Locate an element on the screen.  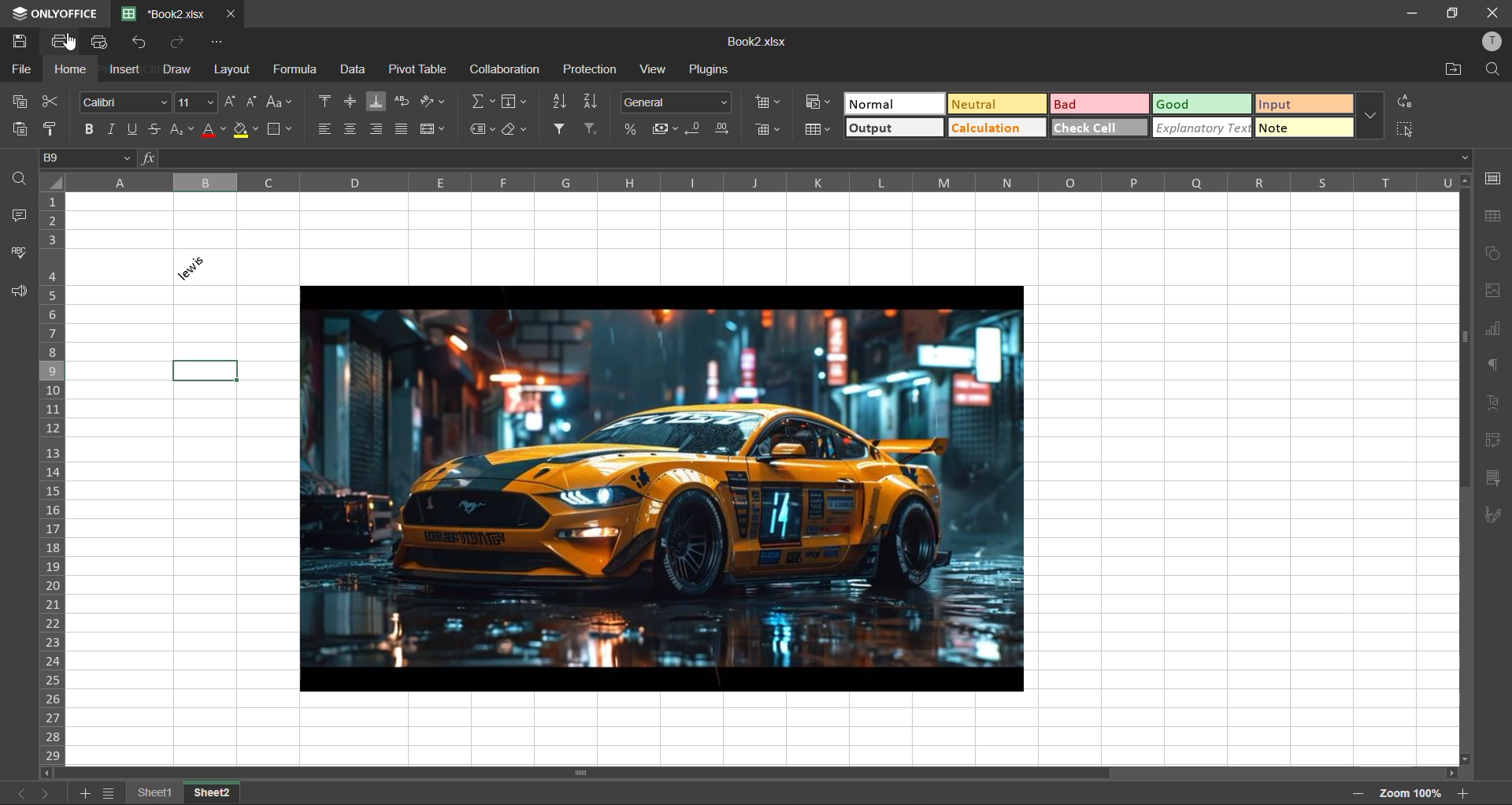
close tab is located at coordinates (230, 13).